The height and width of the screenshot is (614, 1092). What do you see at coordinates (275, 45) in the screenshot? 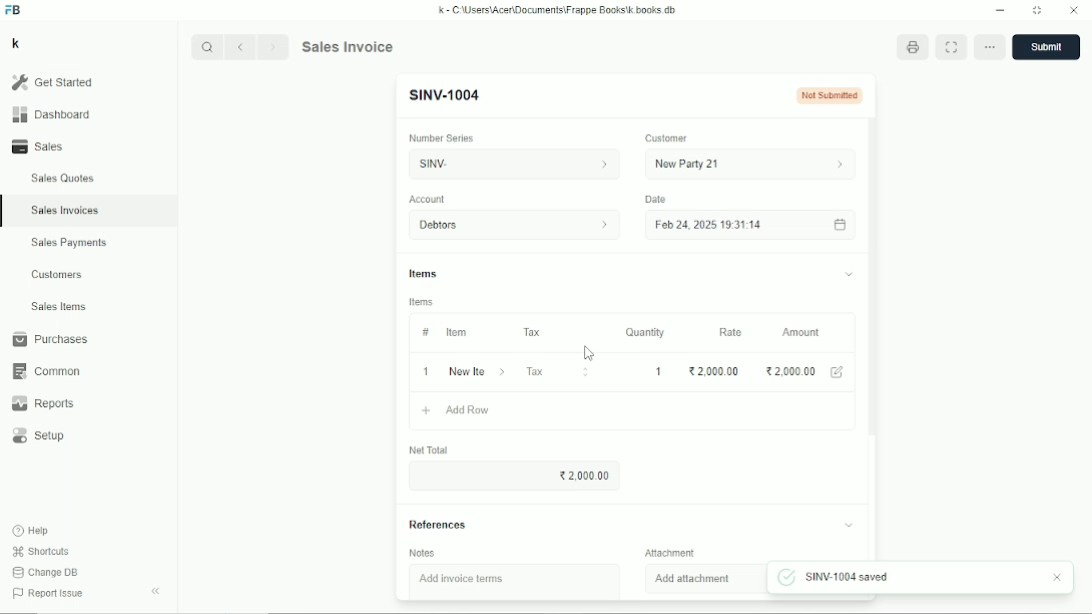
I see `Forward` at bounding box center [275, 45].